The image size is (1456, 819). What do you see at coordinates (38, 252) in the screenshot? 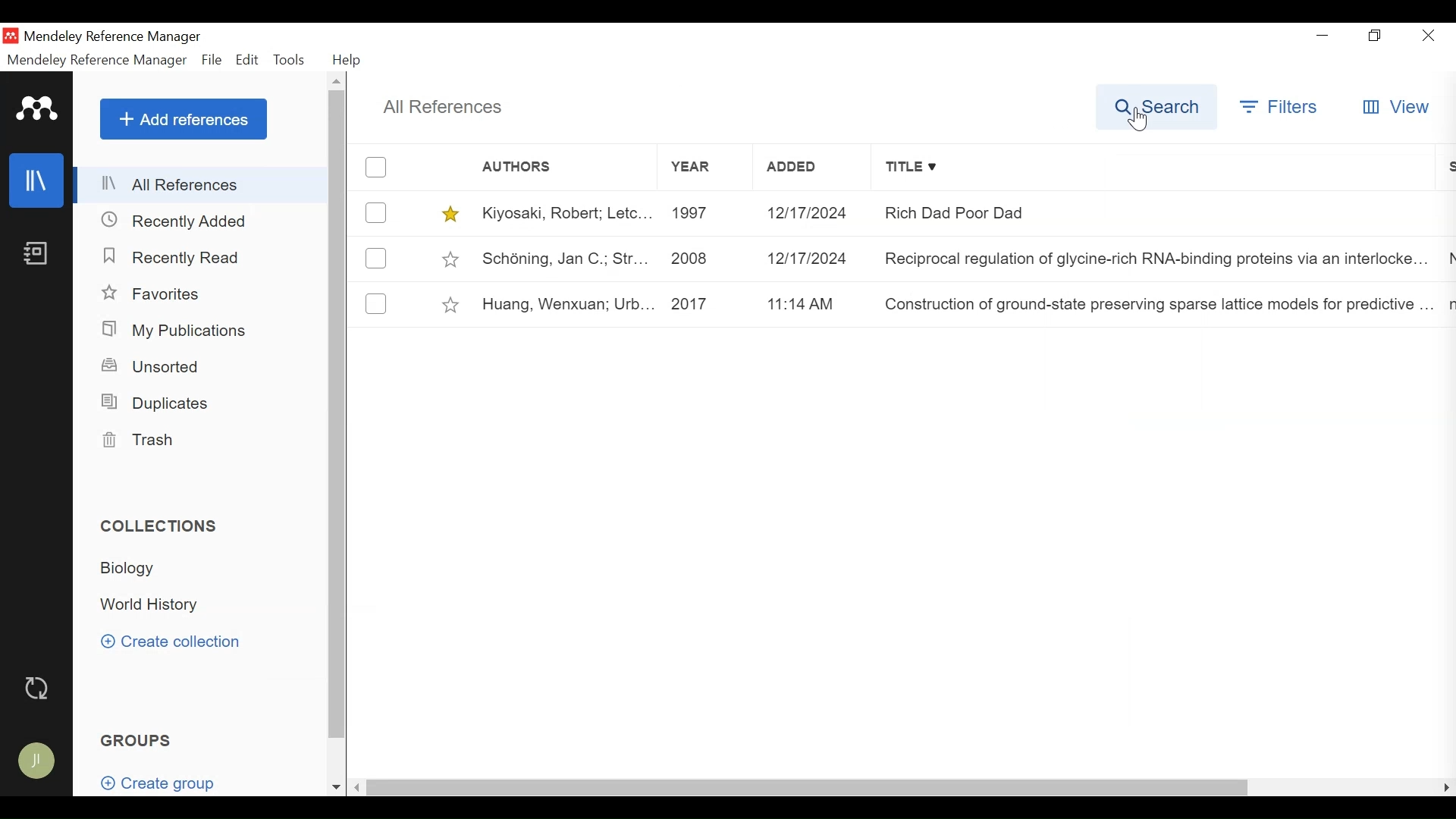
I see `Notebook` at bounding box center [38, 252].